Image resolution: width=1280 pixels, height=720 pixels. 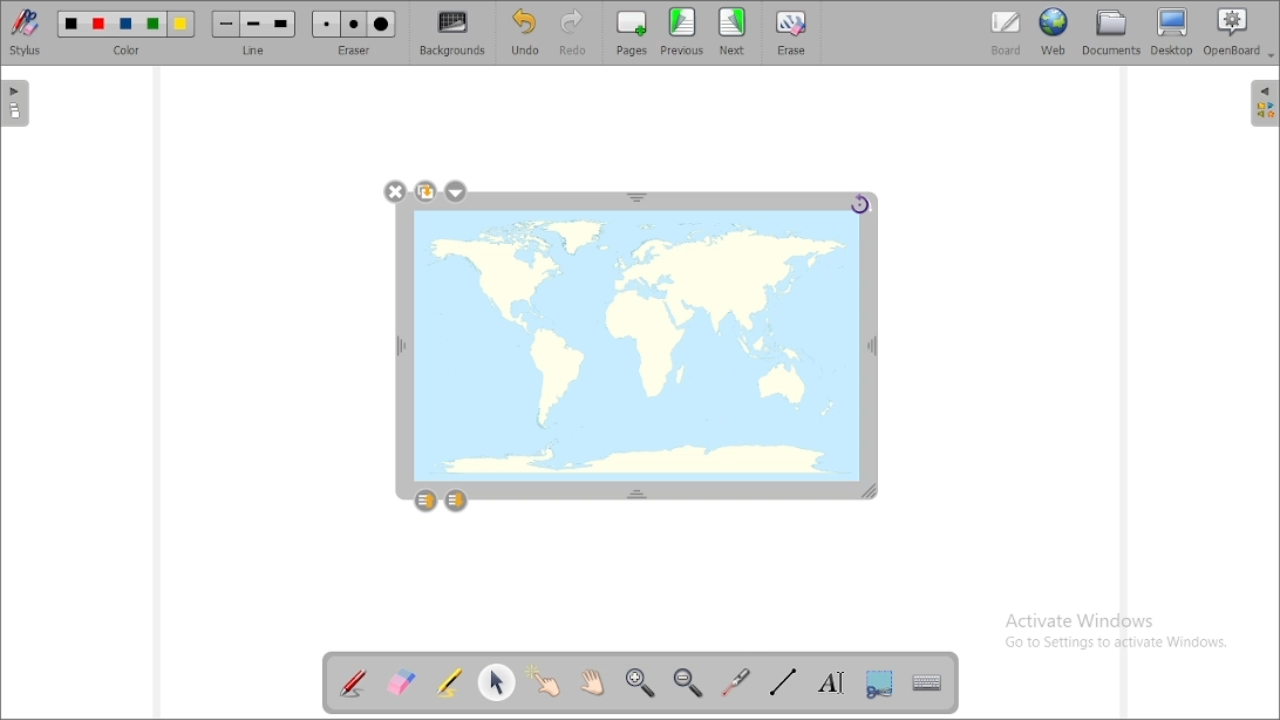 What do you see at coordinates (592, 681) in the screenshot?
I see `scroll page` at bounding box center [592, 681].